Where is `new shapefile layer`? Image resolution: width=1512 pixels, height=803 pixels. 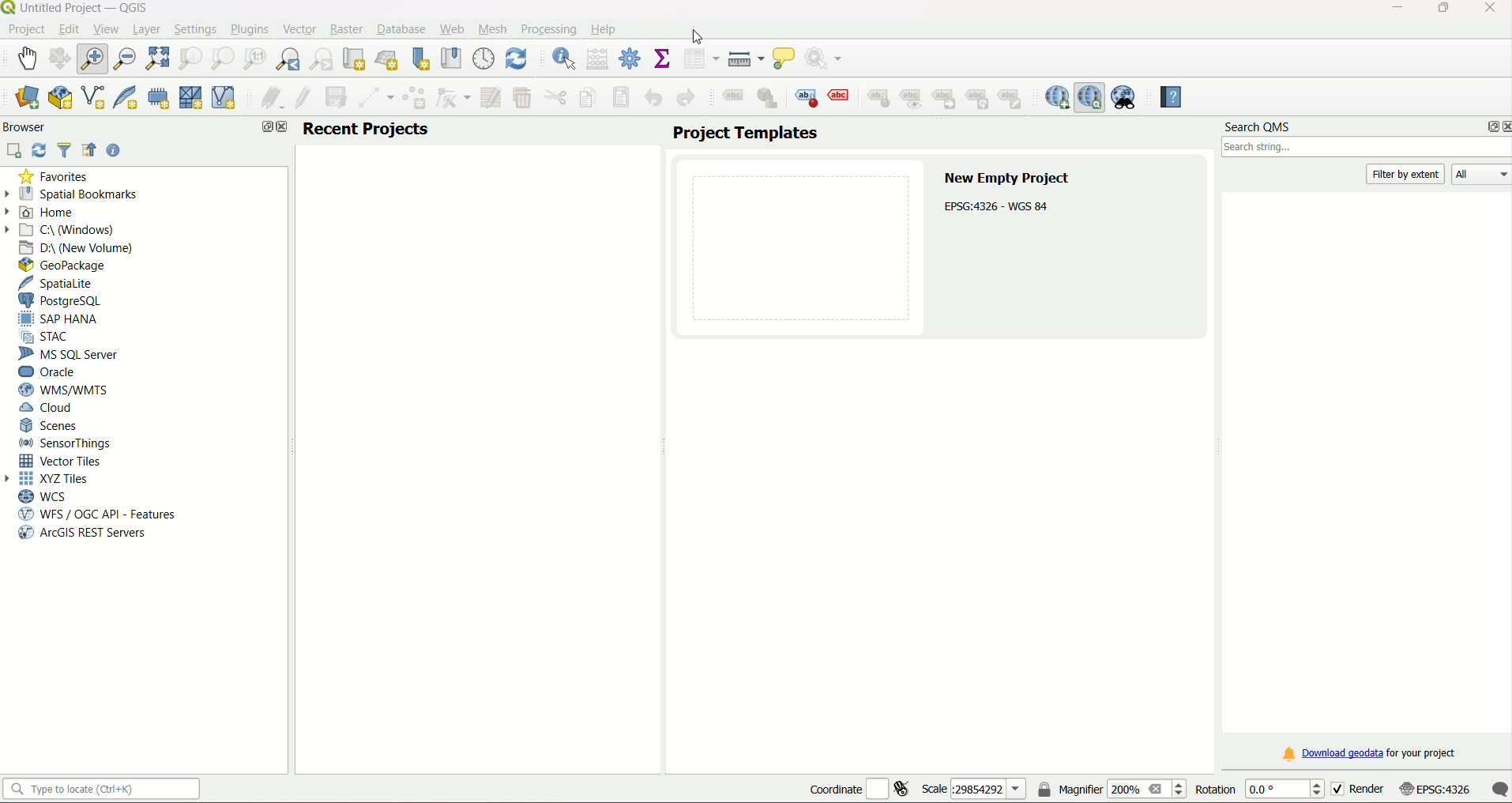 new shapefile layer is located at coordinates (92, 99).